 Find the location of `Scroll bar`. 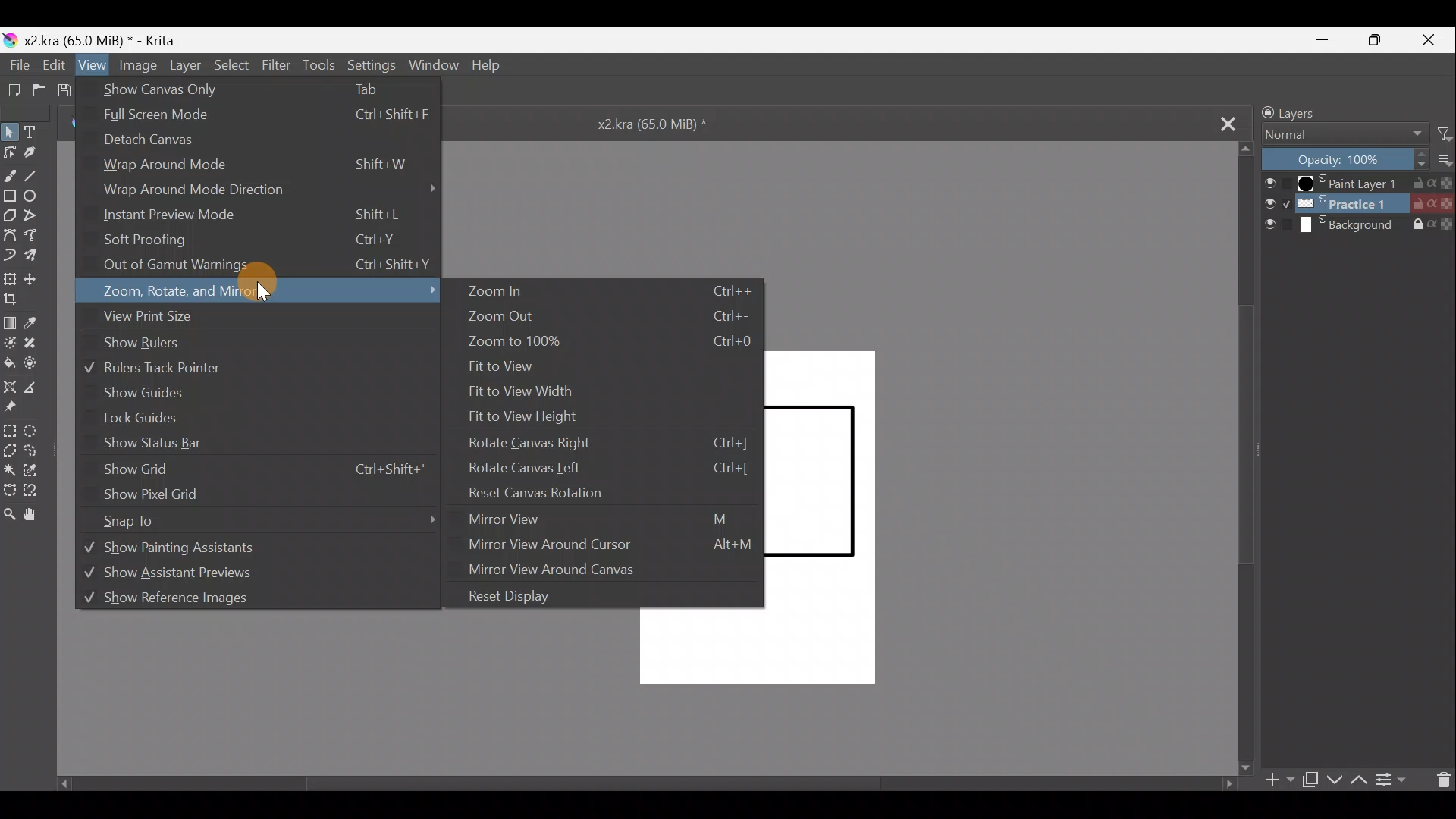

Scroll bar is located at coordinates (1245, 460).